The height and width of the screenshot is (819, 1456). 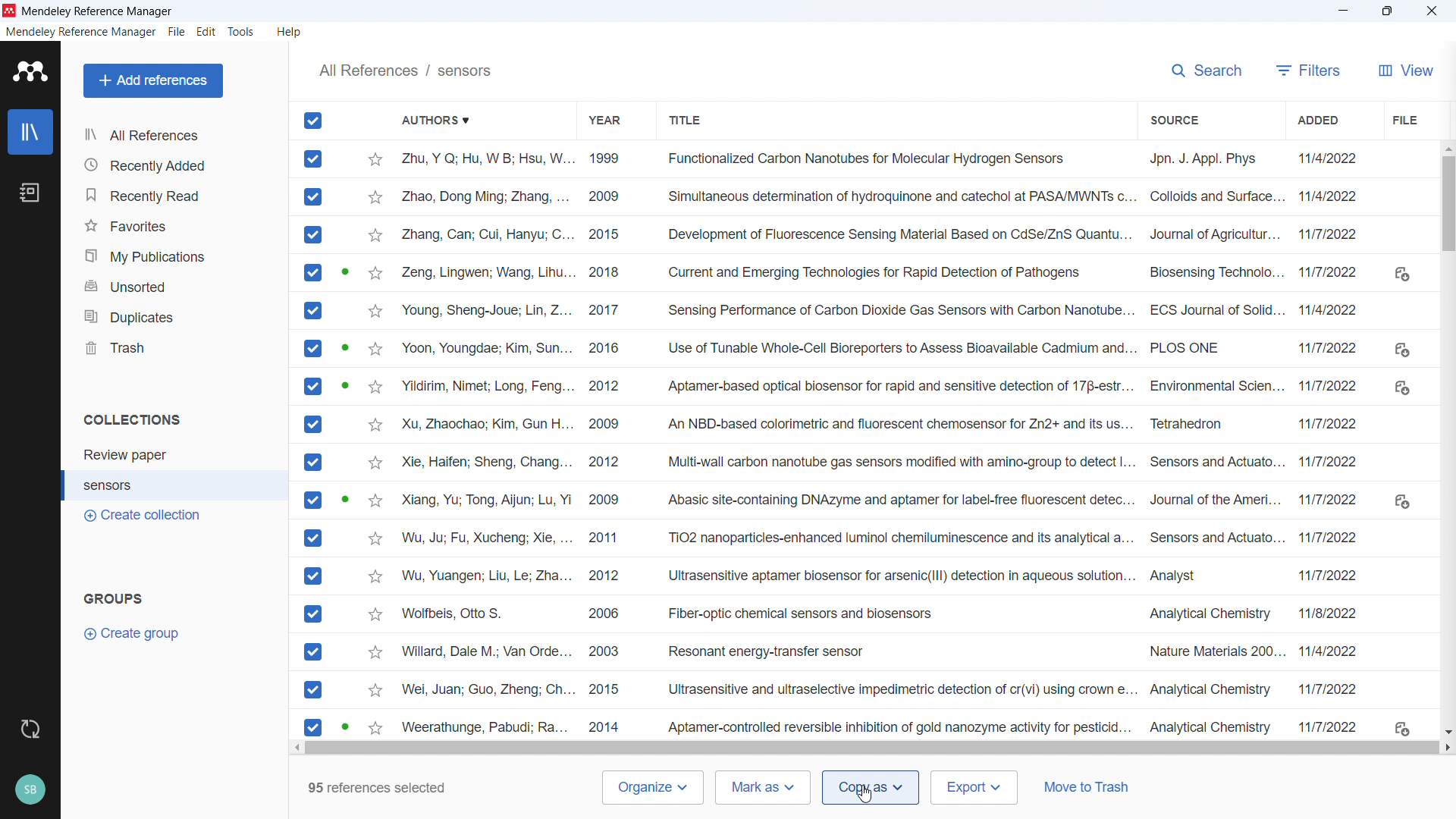 What do you see at coordinates (177, 33) in the screenshot?
I see `file` at bounding box center [177, 33].